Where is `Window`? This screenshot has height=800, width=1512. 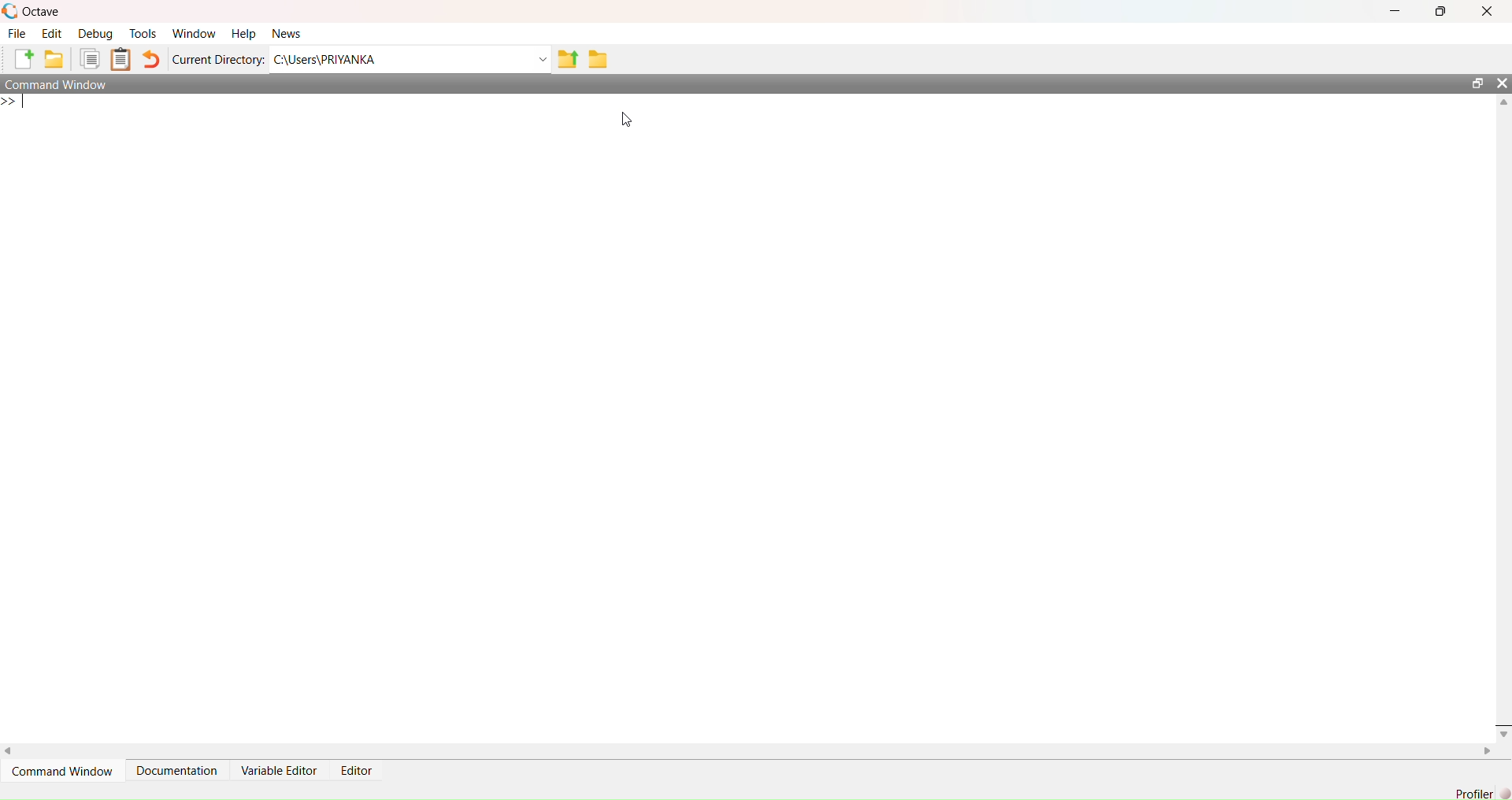 Window is located at coordinates (194, 35).